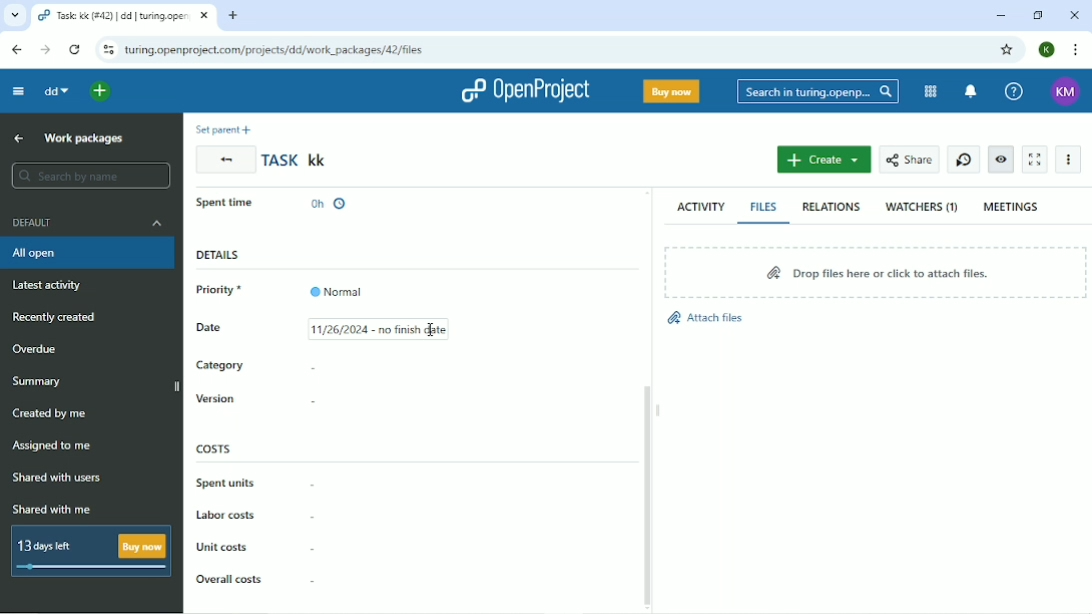  I want to click on Start new timer, so click(962, 159).